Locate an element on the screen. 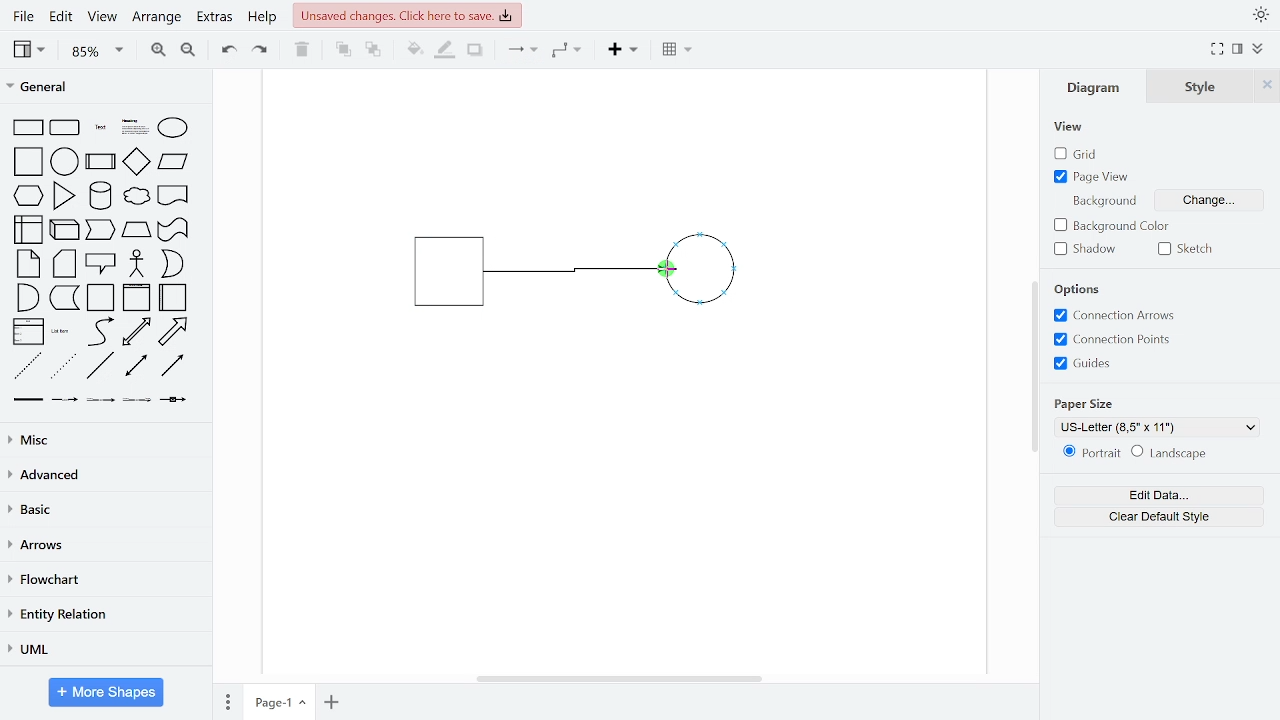  redo is located at coordinates (261, 49).